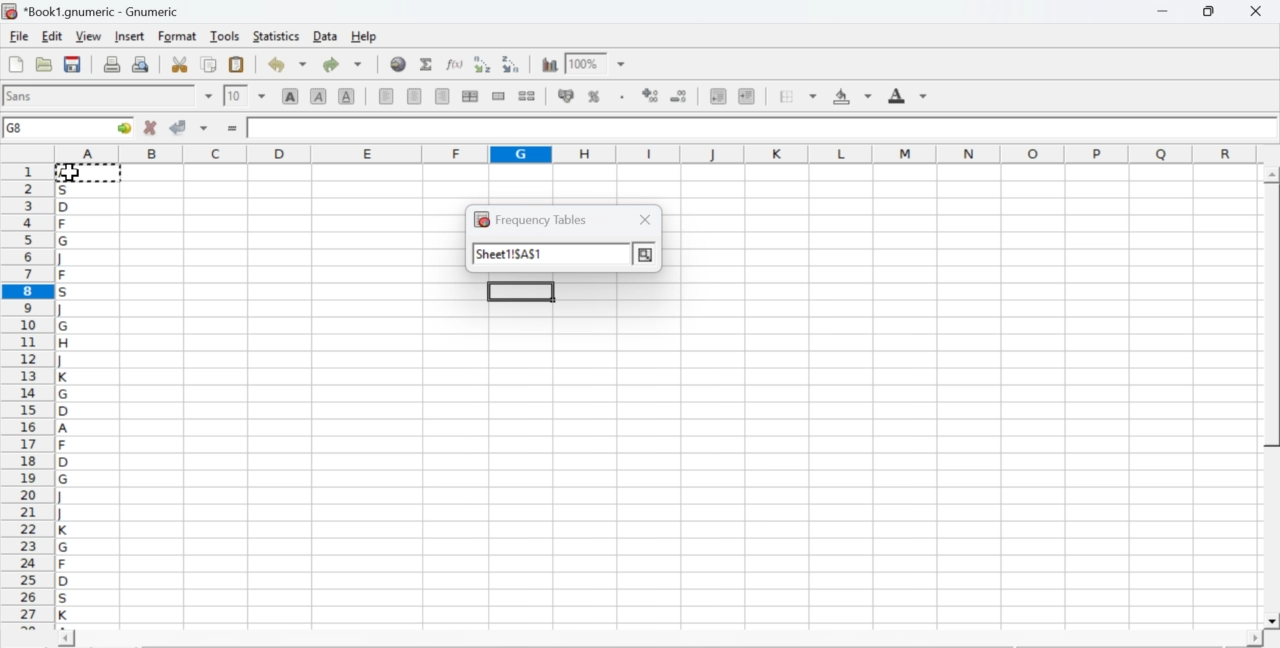 This screenshot has height=648, width=1280. What do you see at coordinates (210, 96) in the screenshot?
I see `drop down` at bounding box center [210, 96].